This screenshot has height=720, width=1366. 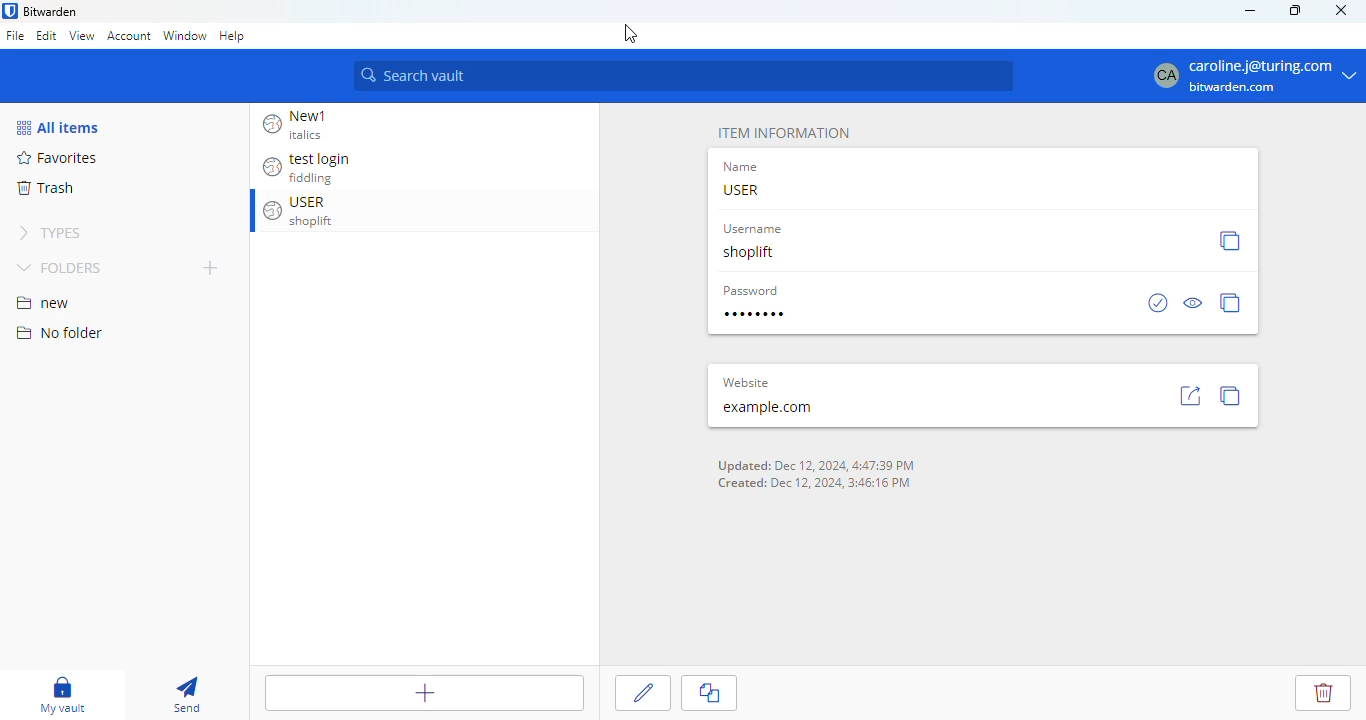 What do you see at coordinates (642, 691) in the screenshot?
I see `edit` at bounding box center [642, 691].